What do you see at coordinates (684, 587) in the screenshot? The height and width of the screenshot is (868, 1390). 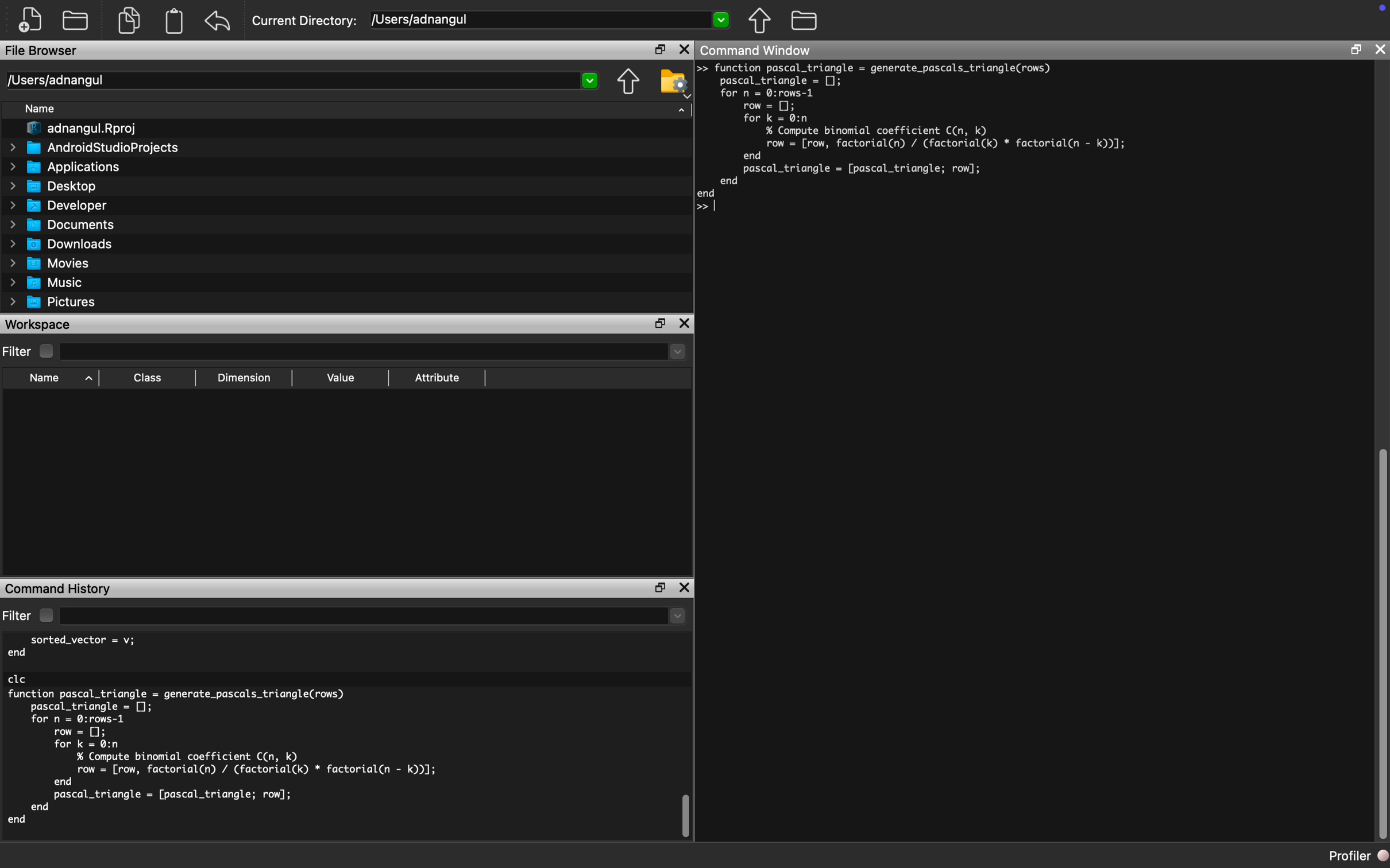 I see `Close` at bounding box center [684, 587].